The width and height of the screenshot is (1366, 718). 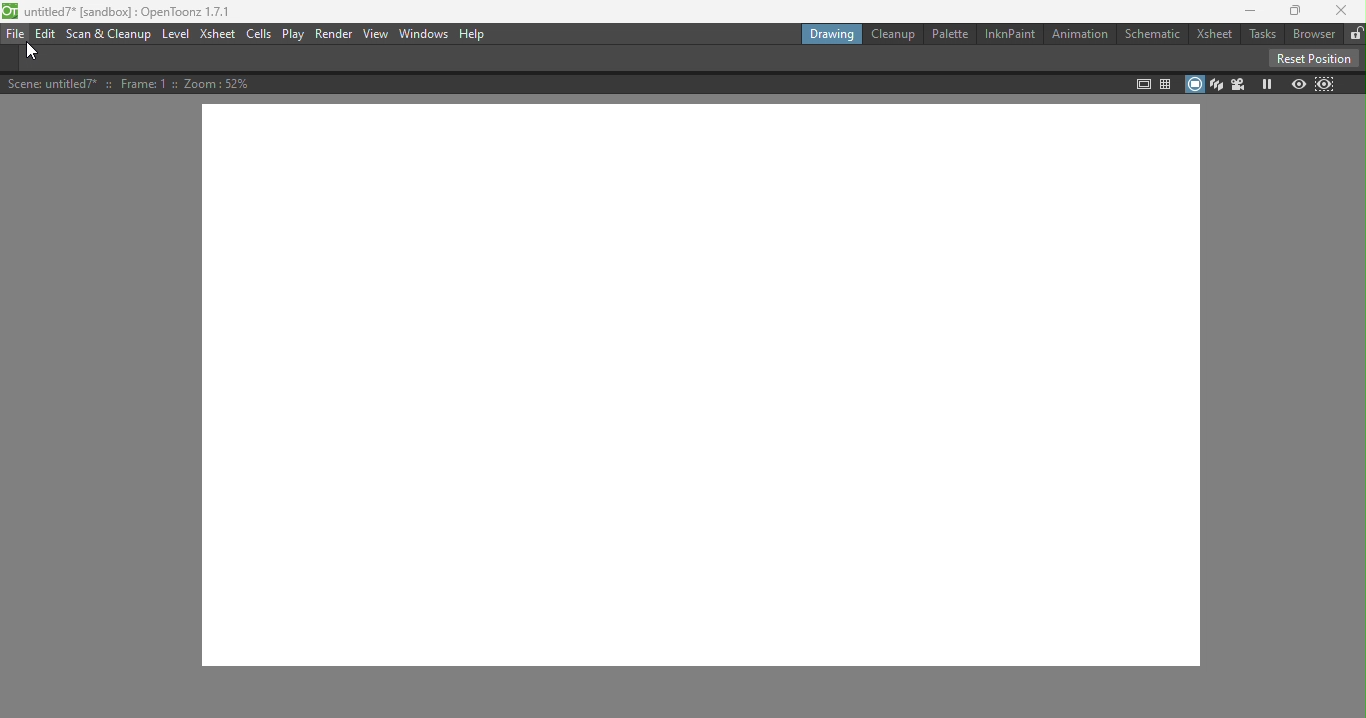 I want to click on Palette, so click(x=950, y=35).